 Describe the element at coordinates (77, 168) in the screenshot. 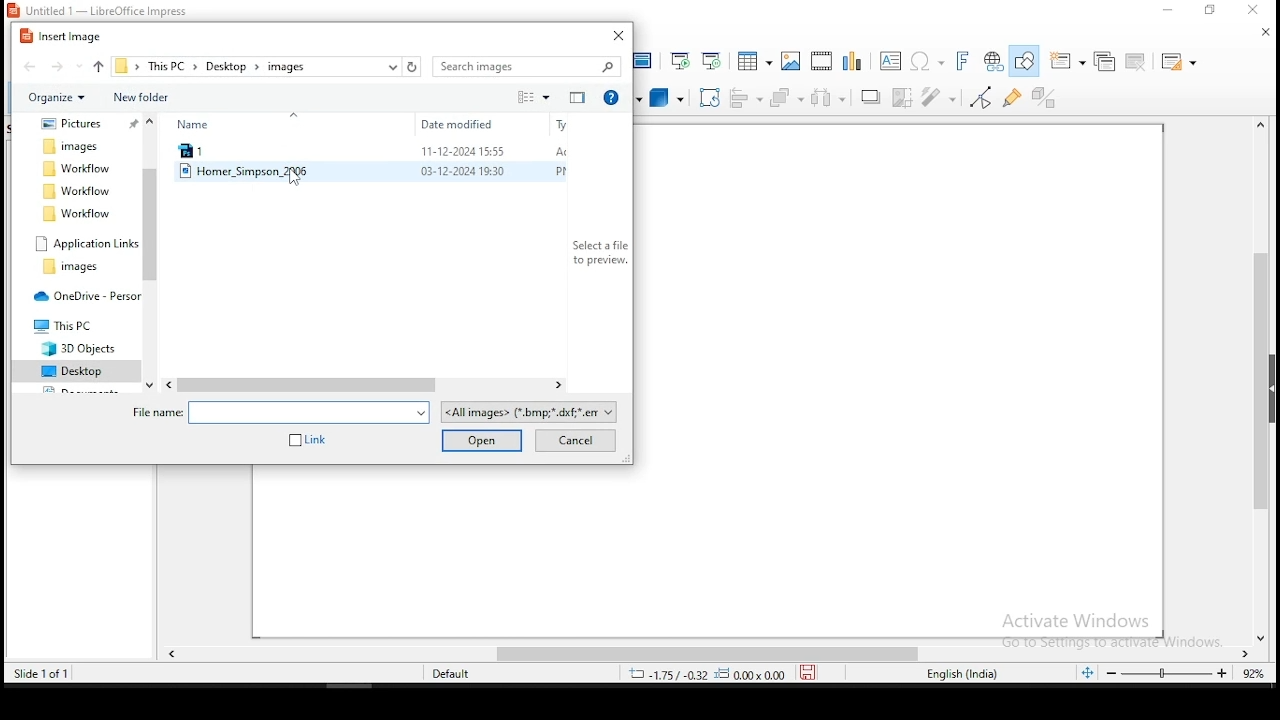

I see `system folder` at that location.